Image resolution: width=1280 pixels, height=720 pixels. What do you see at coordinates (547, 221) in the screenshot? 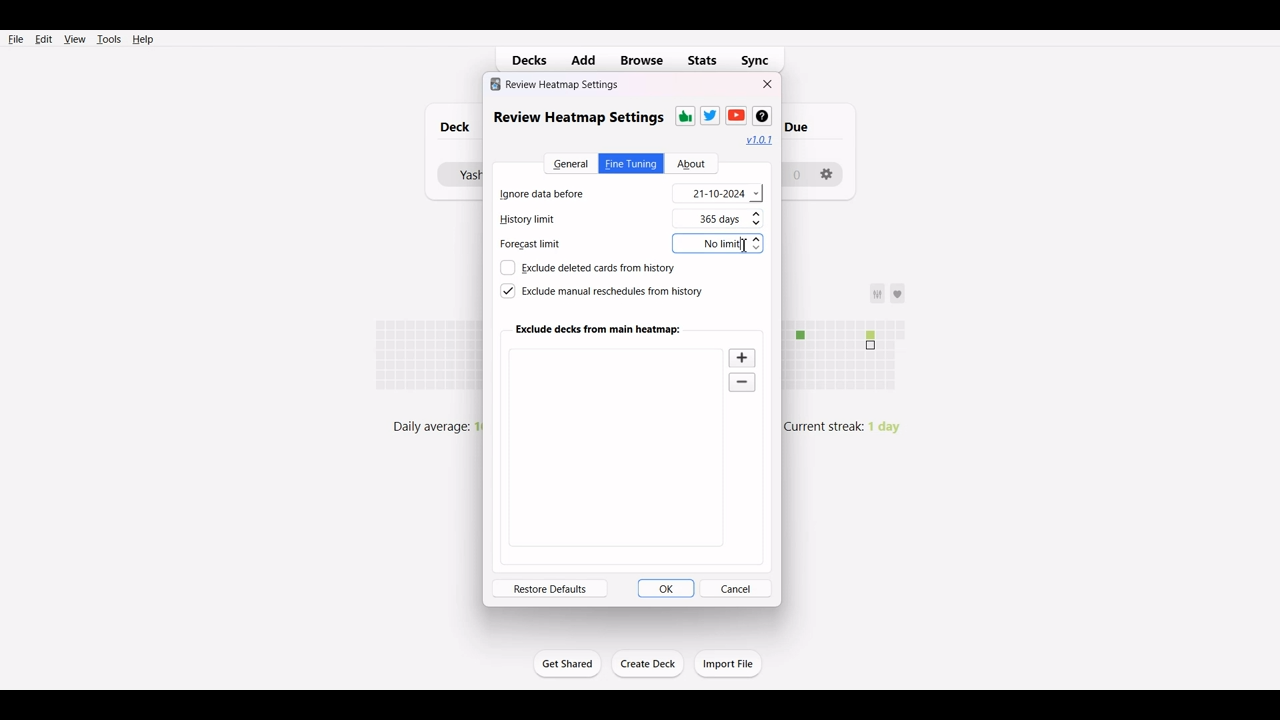
I see `History limit` at bounding box center [547, 221].